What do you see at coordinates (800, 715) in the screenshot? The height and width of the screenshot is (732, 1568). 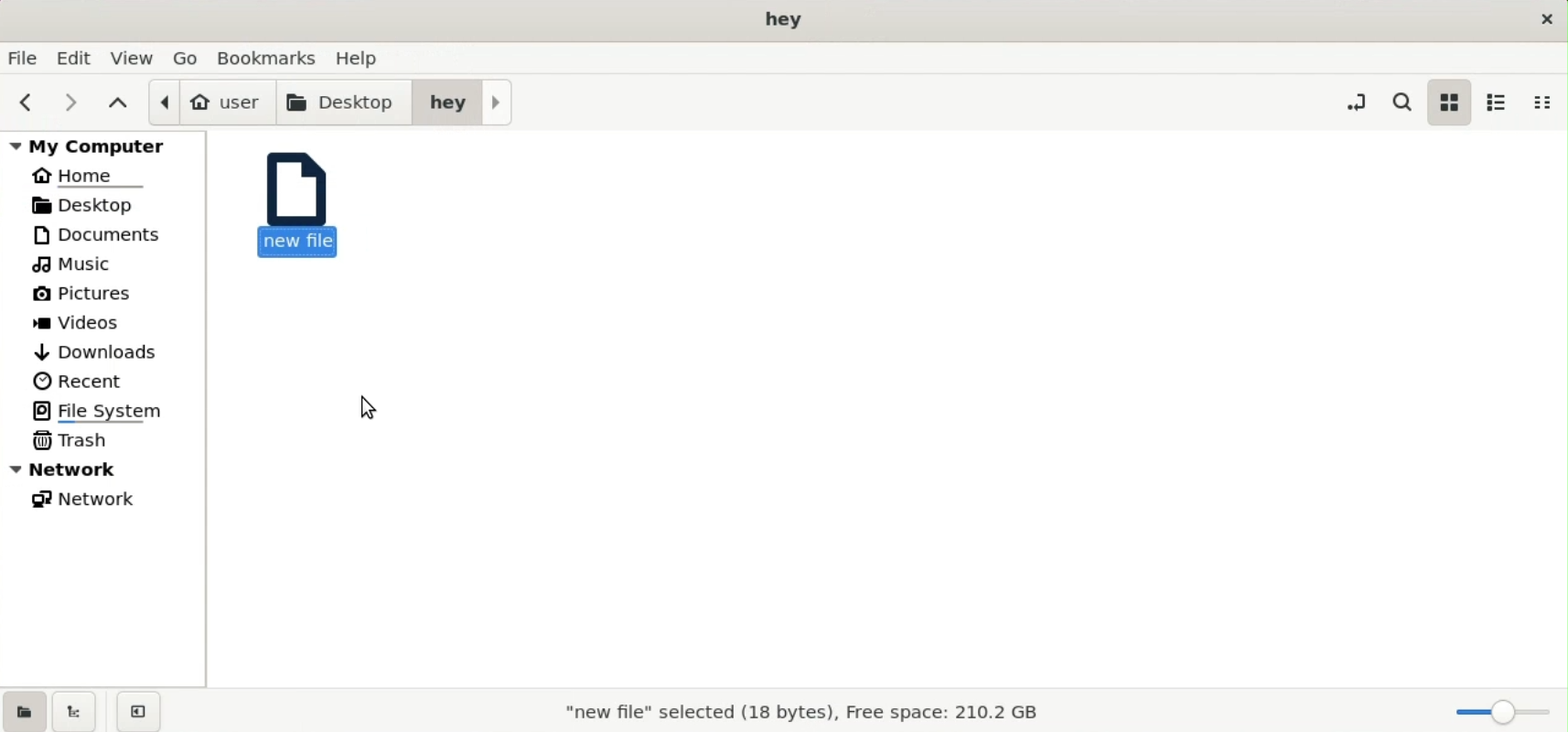 I see `description` at bounding box center [800, 715].